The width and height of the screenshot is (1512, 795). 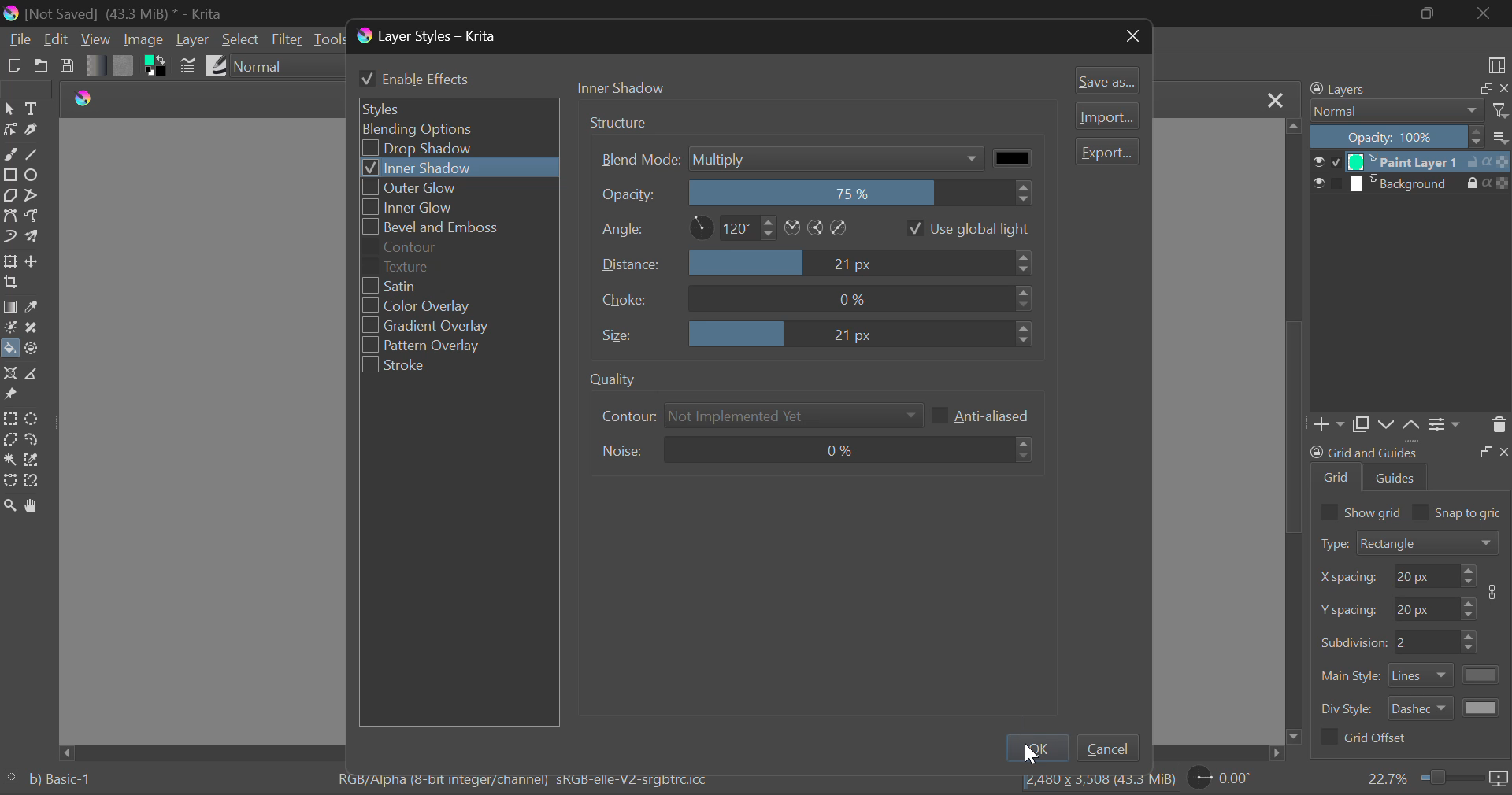 What do you see at coordinates (33, 215) in the screenshot?
I see `Freehand Path Tool` at bounding box center [33, 215].